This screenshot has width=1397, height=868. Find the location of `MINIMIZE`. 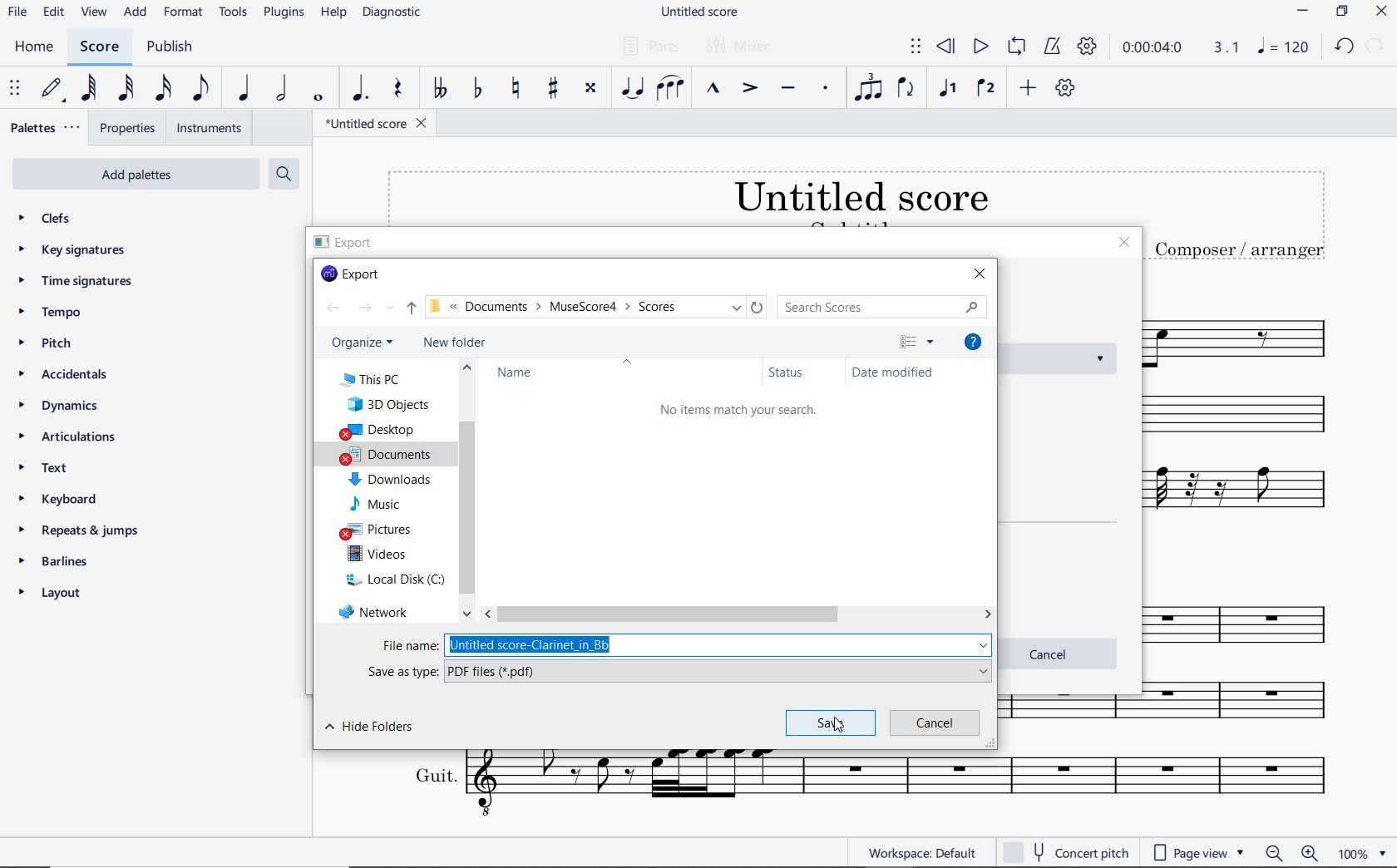

MINIMIZE is located at coordinates (1302, 12).